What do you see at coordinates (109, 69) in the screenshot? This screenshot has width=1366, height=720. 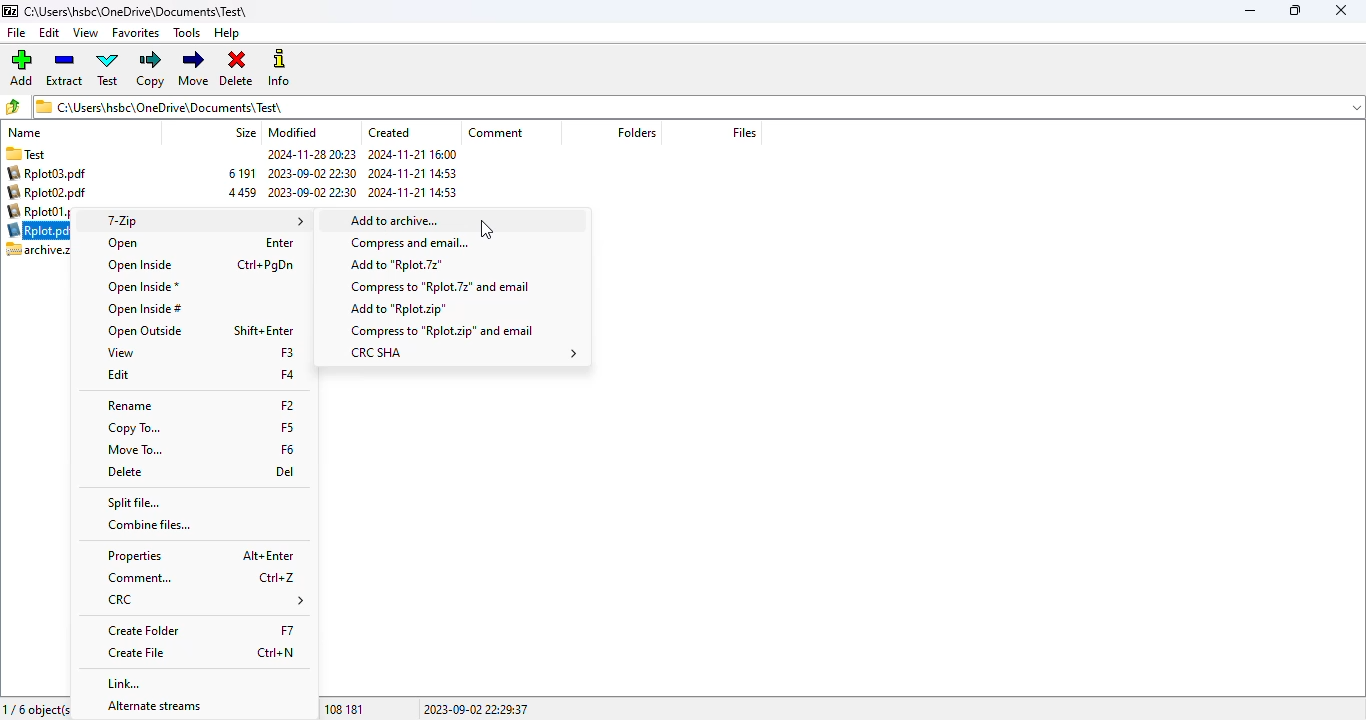 I see `test` at bounding box center [109, 69].